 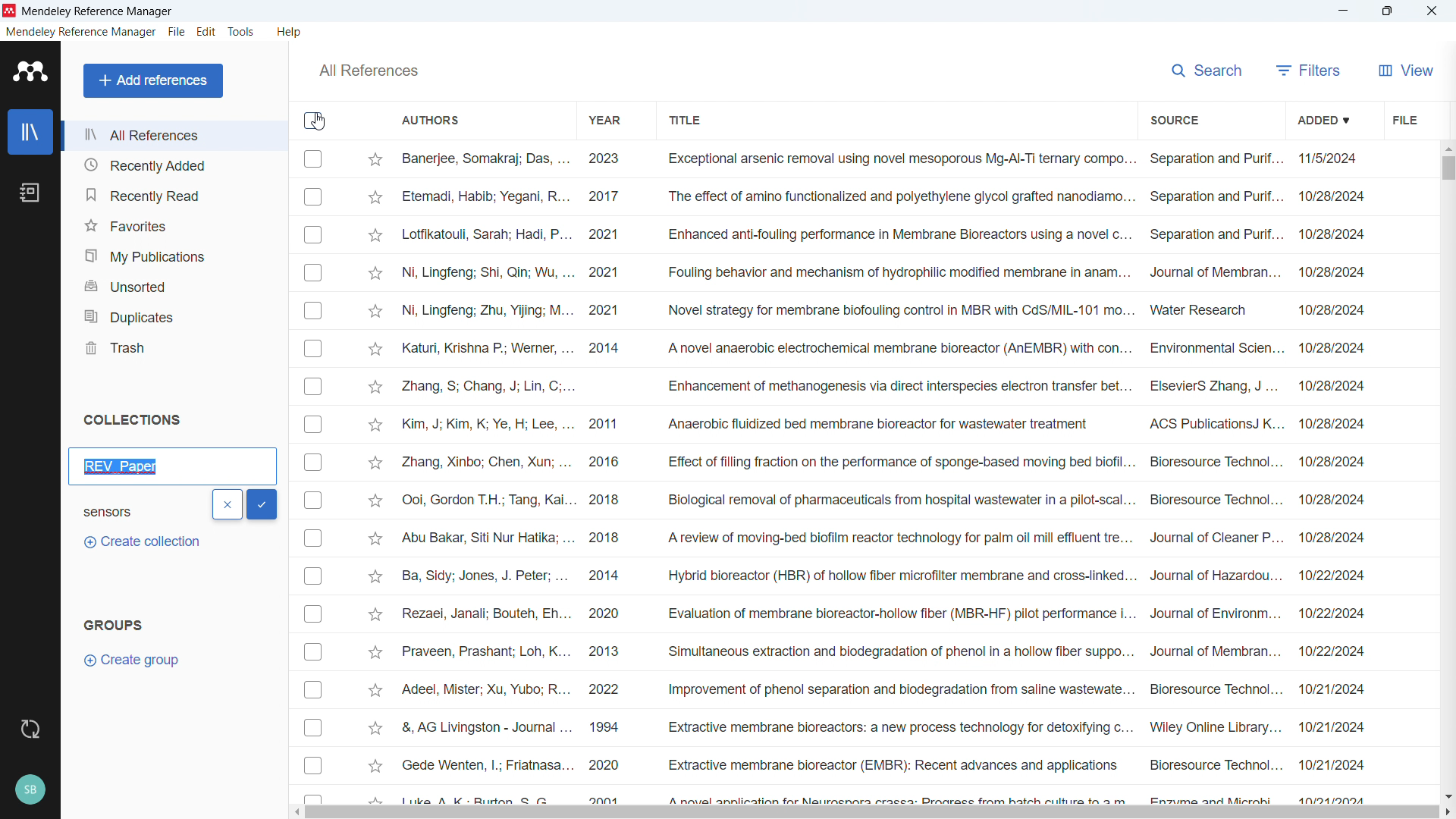 I want to click on Star mark respective publication, so click(x=375, y=388).